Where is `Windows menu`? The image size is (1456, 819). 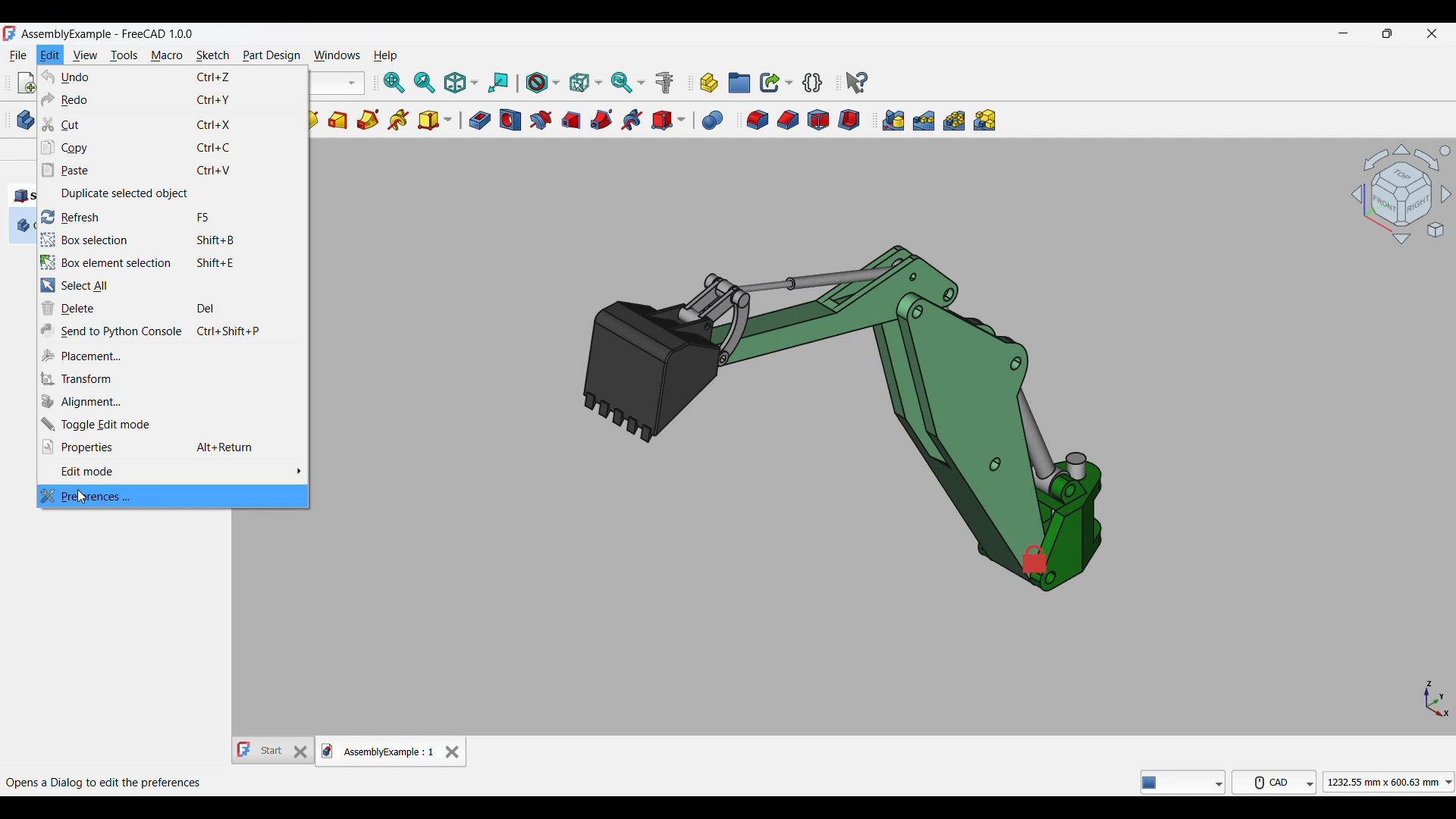 Windows menu is located at coordinates (337, 56).